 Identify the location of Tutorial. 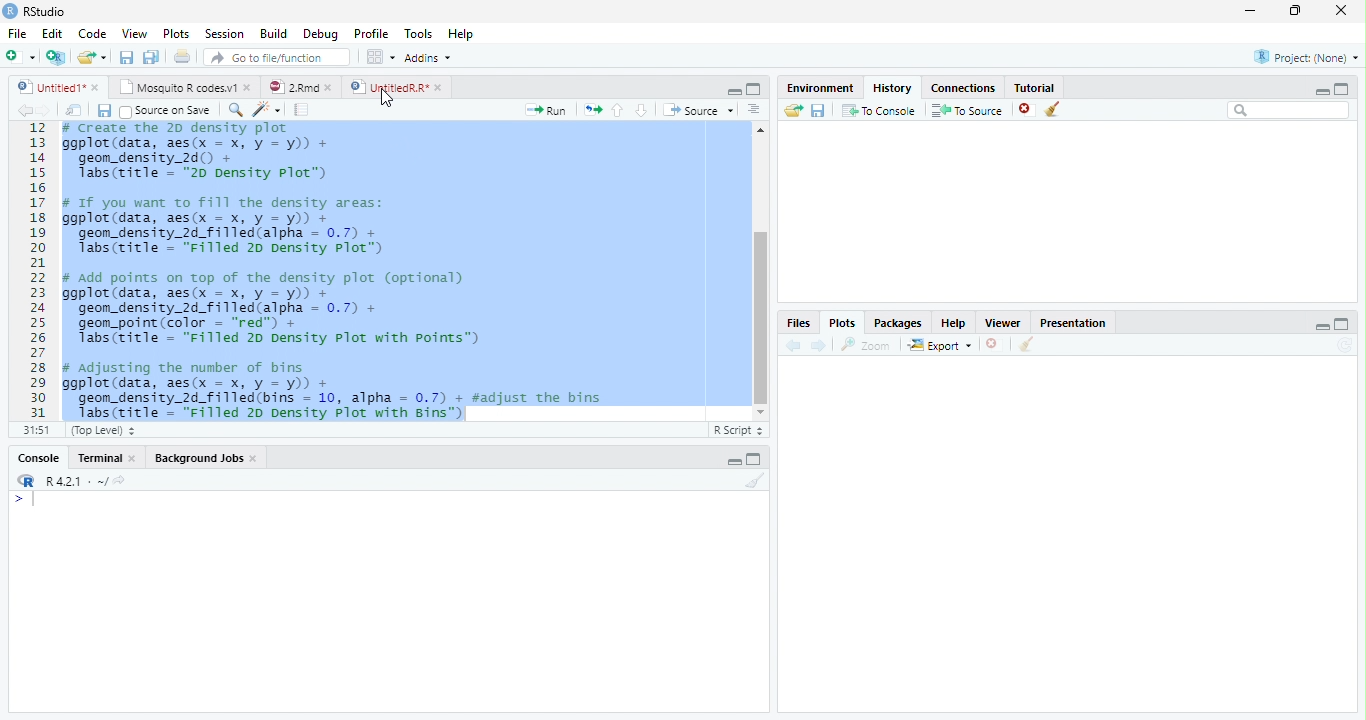
(1036, 87).